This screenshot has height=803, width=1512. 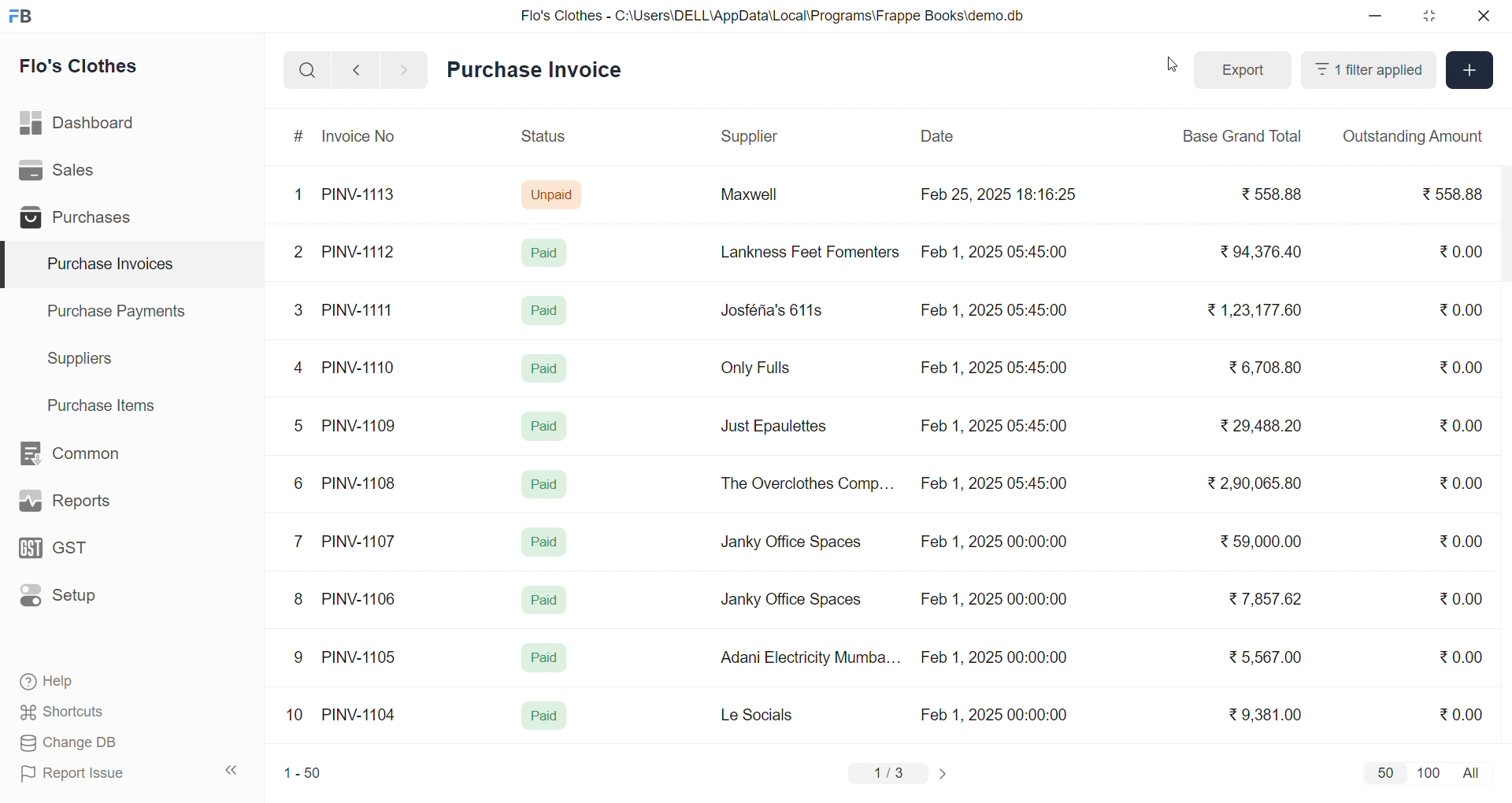 What do you see at coordinates (1460, 485) in the screenshot?
I see `₹0.00` at bounding box center [1460, 485].